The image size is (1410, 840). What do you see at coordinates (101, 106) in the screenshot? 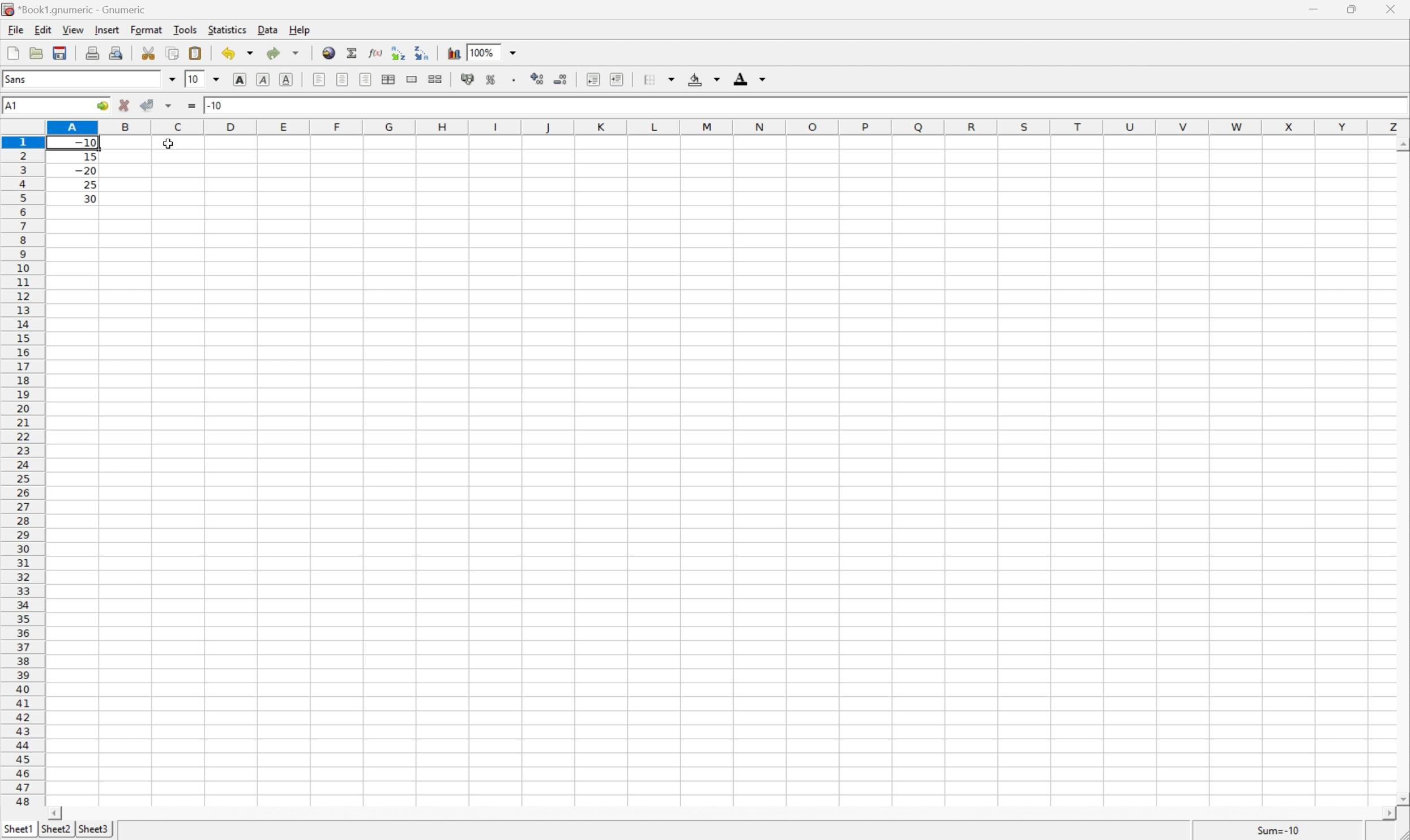
I see `Go to` at bounding box center [101, 106].